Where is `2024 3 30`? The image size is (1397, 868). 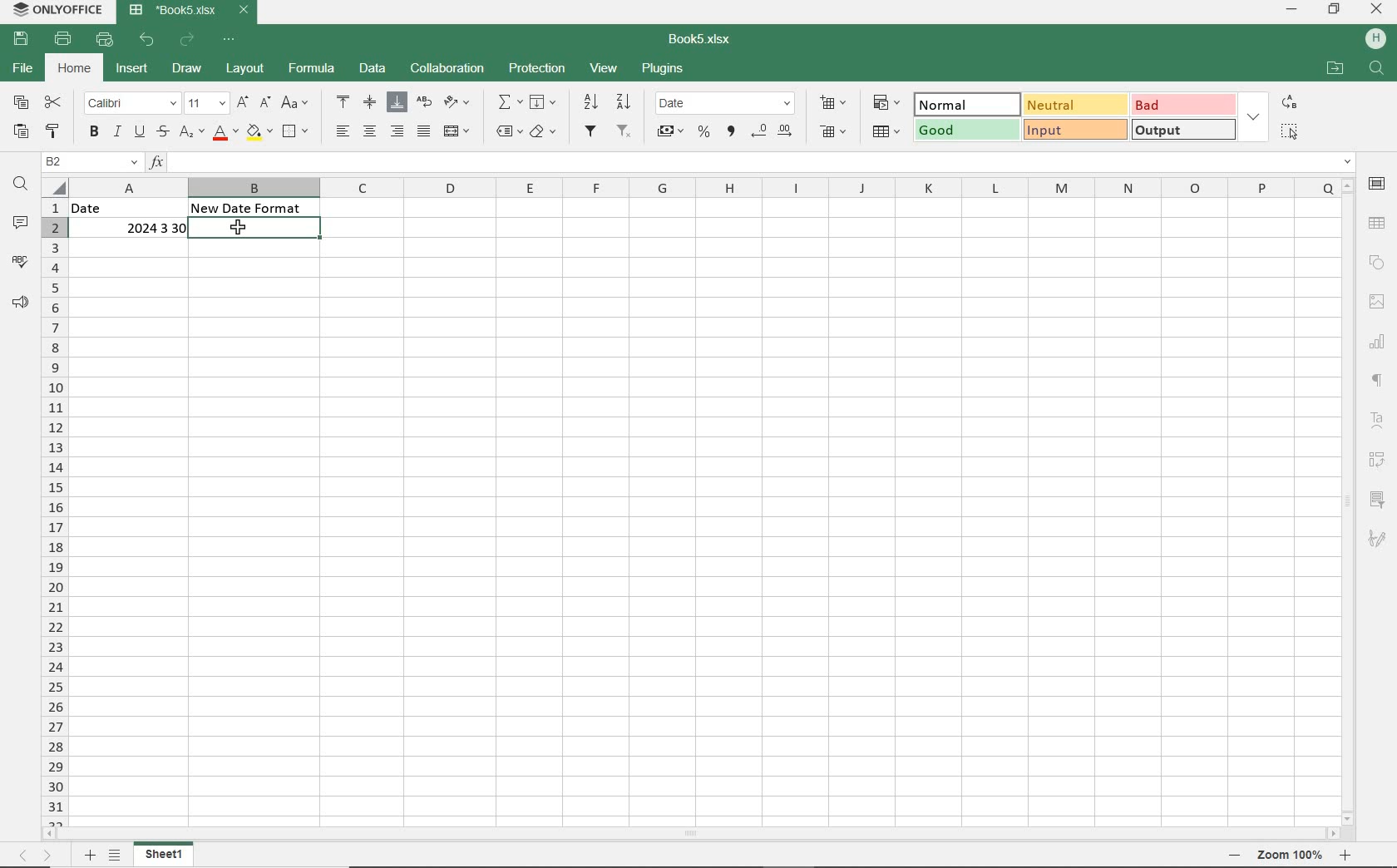
2024 3 30 is located at coordinates (144, 228).